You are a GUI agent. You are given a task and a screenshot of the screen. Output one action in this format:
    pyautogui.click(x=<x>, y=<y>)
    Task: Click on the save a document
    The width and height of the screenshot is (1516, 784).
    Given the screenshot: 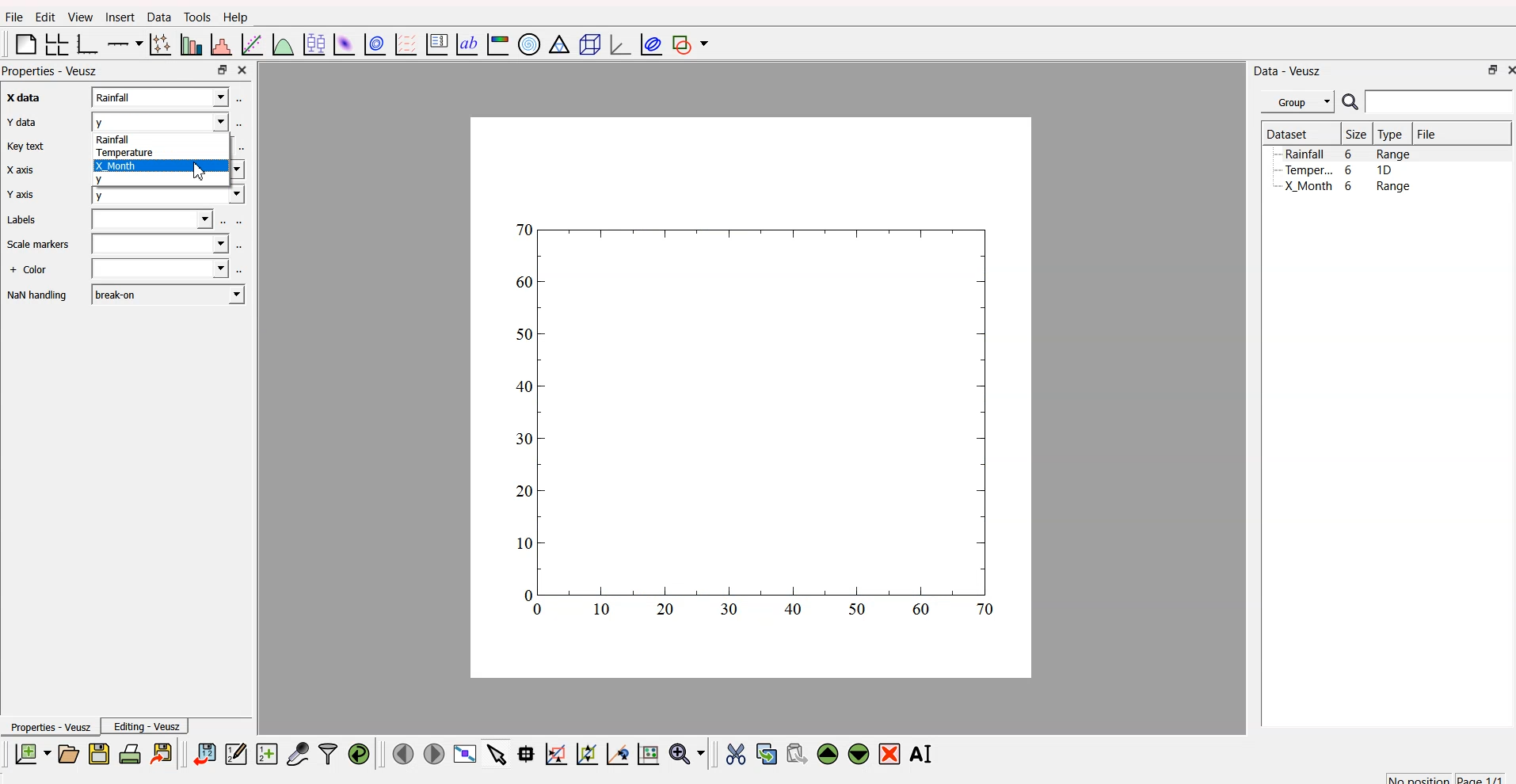 What is the action you would take?
    pyautogui.click(x=97, y=753)
    